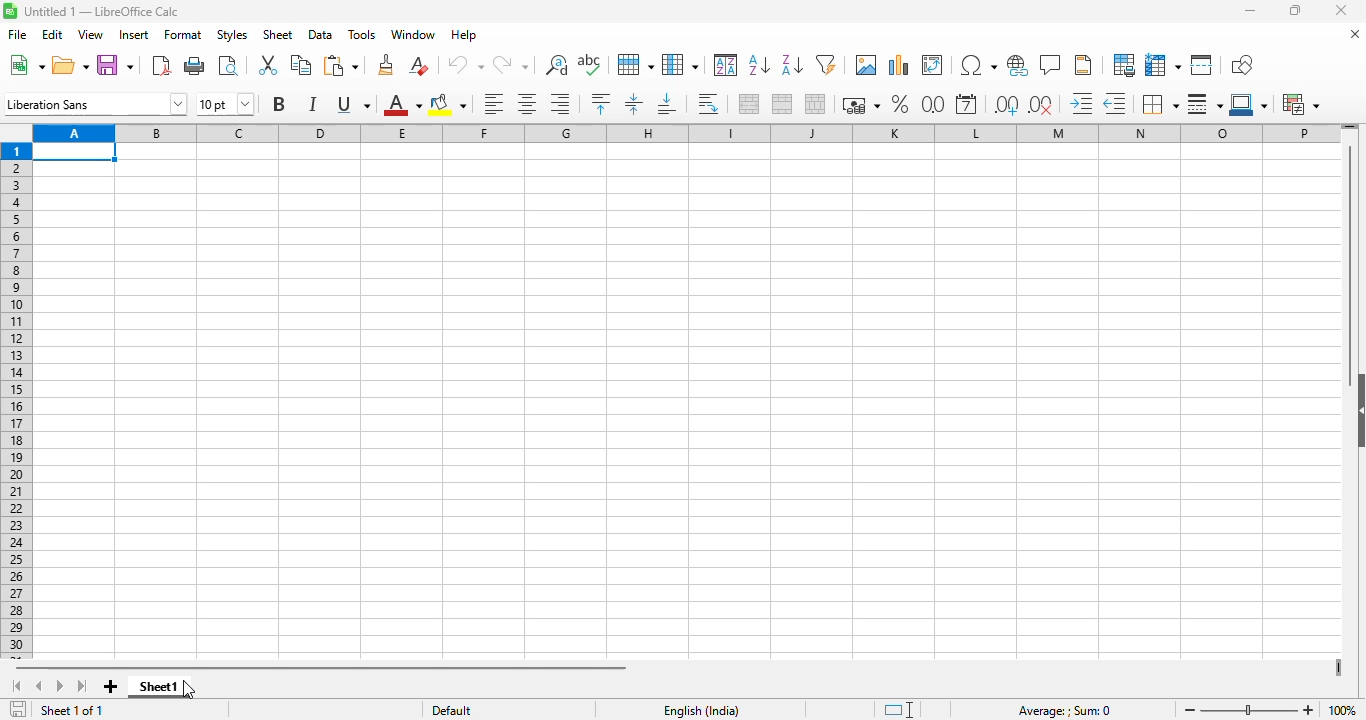 This screenshot has height=720, width=1366. Describe the element at coordinates (155, 687) in the screenshot. I see `sheet1` at that location.